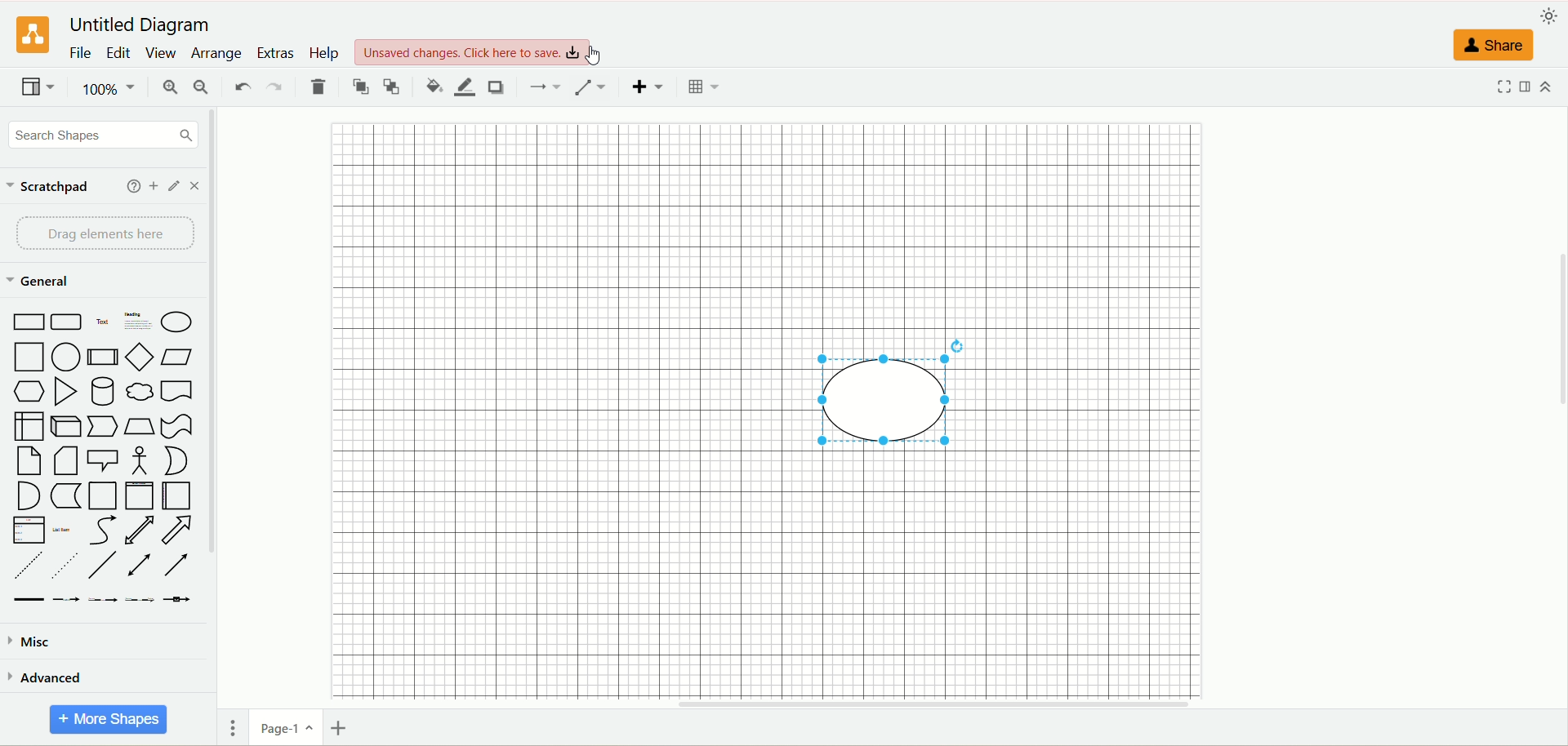 The image size is (1568, 746). I want to click on expand/collapse, so click(1549, 88).